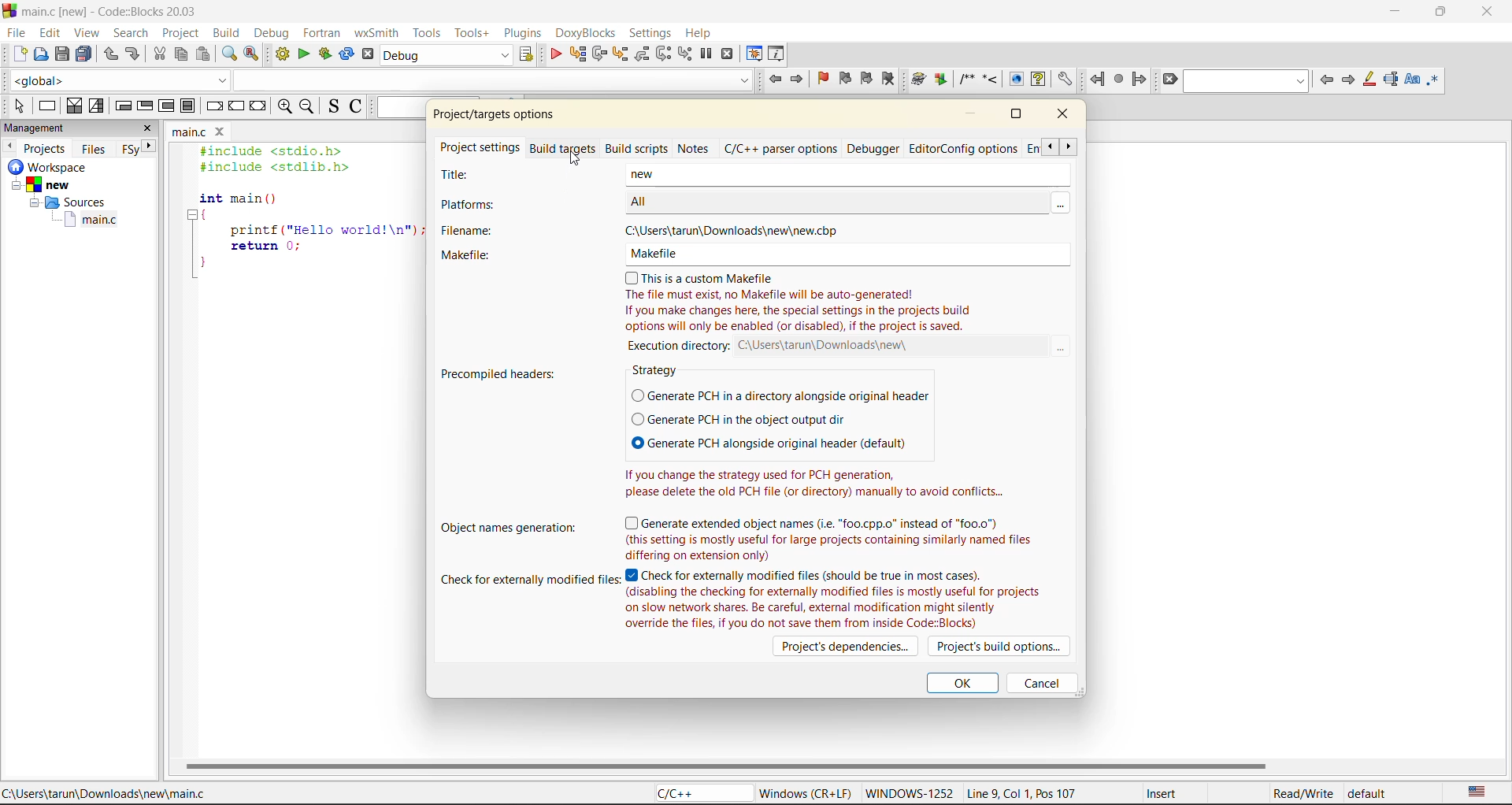 This screenshot has height=805, width=1512. I want to click on execution directory, so click(803, 346).